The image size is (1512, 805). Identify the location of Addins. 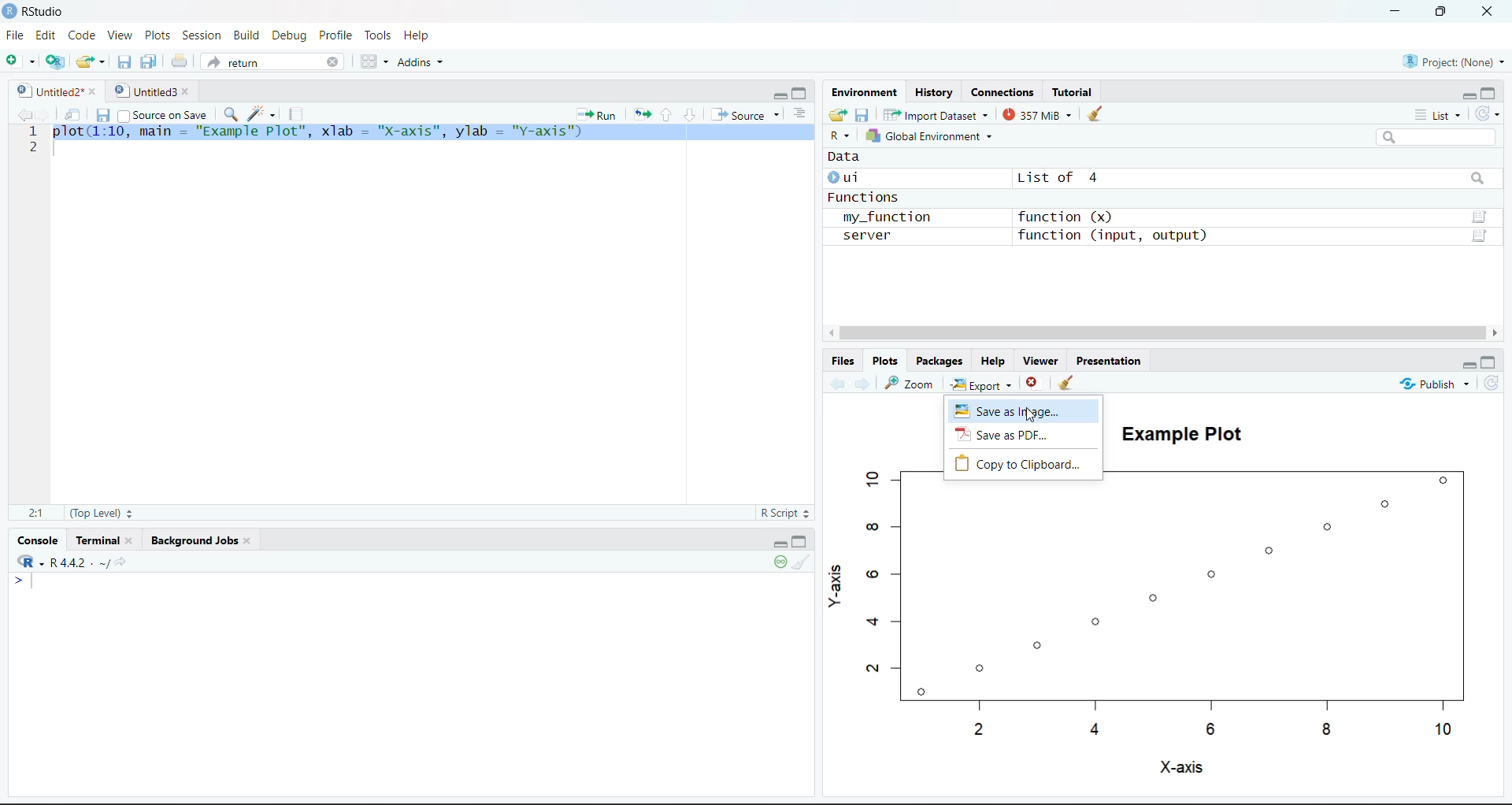
(421, 61).